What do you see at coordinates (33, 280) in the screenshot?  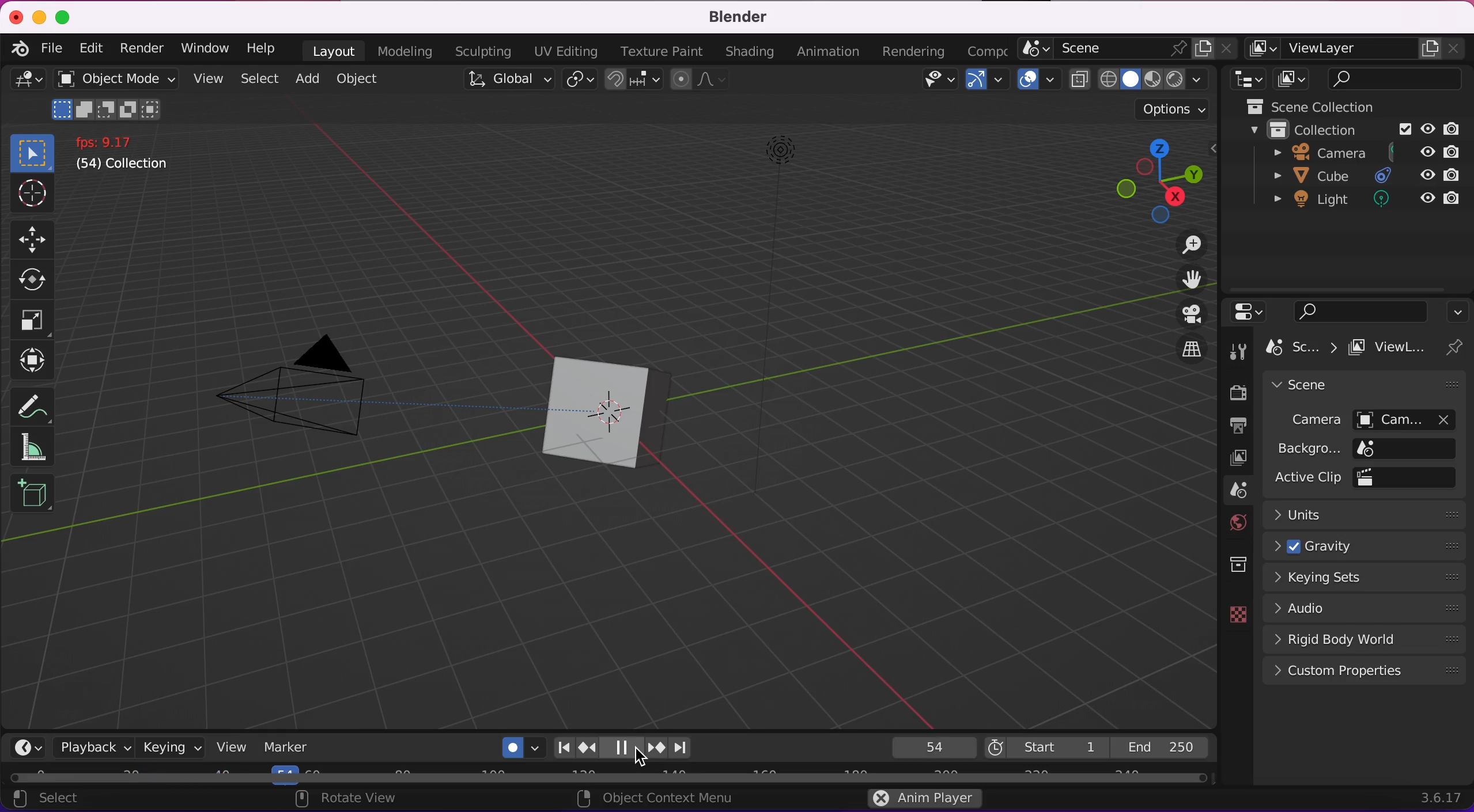 I see `rotate` at bounding box center [33, 280].